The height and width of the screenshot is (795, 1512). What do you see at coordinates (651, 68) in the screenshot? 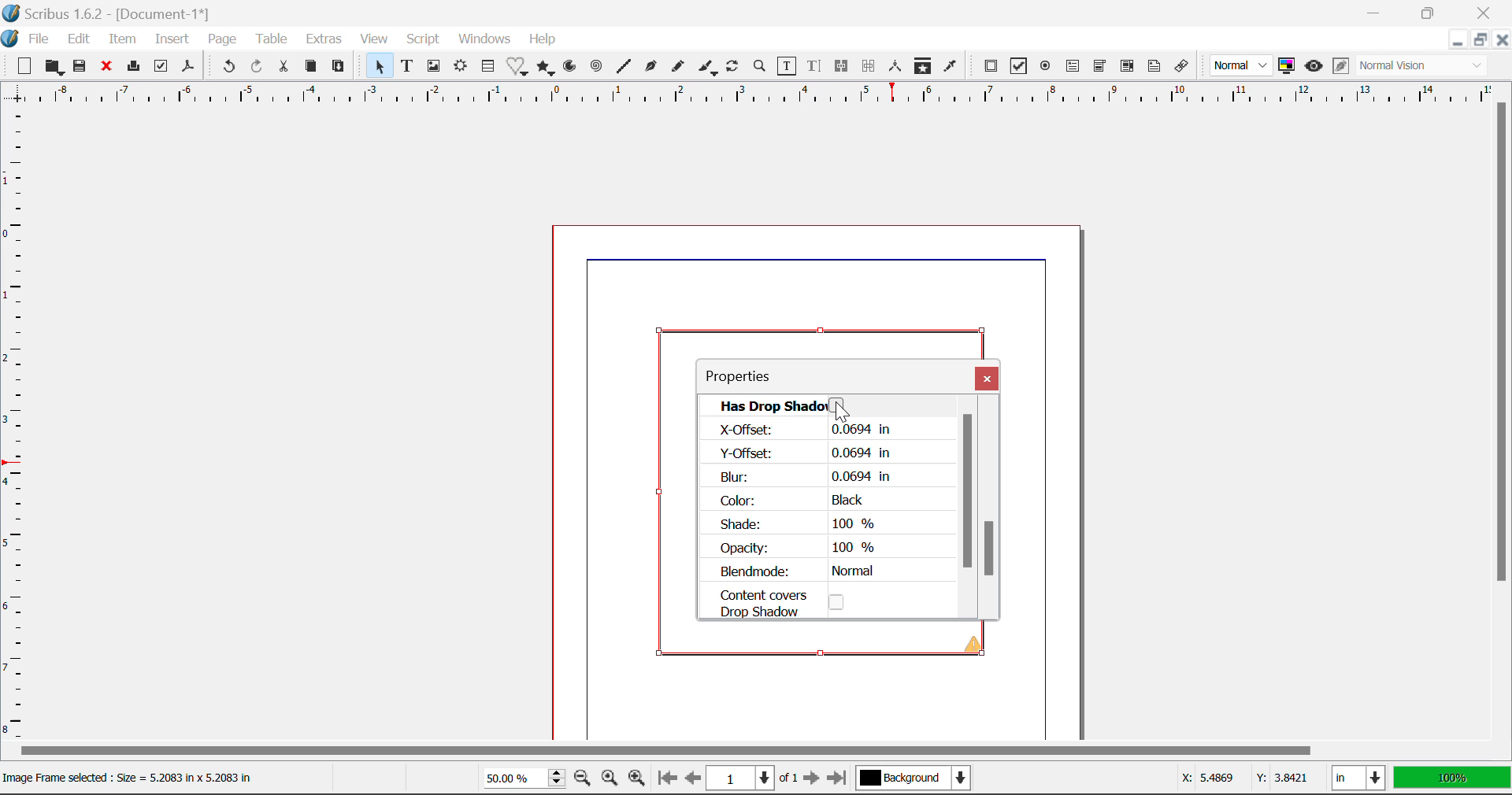
I see `Bezier Curve` at bounding box center [651, 68].